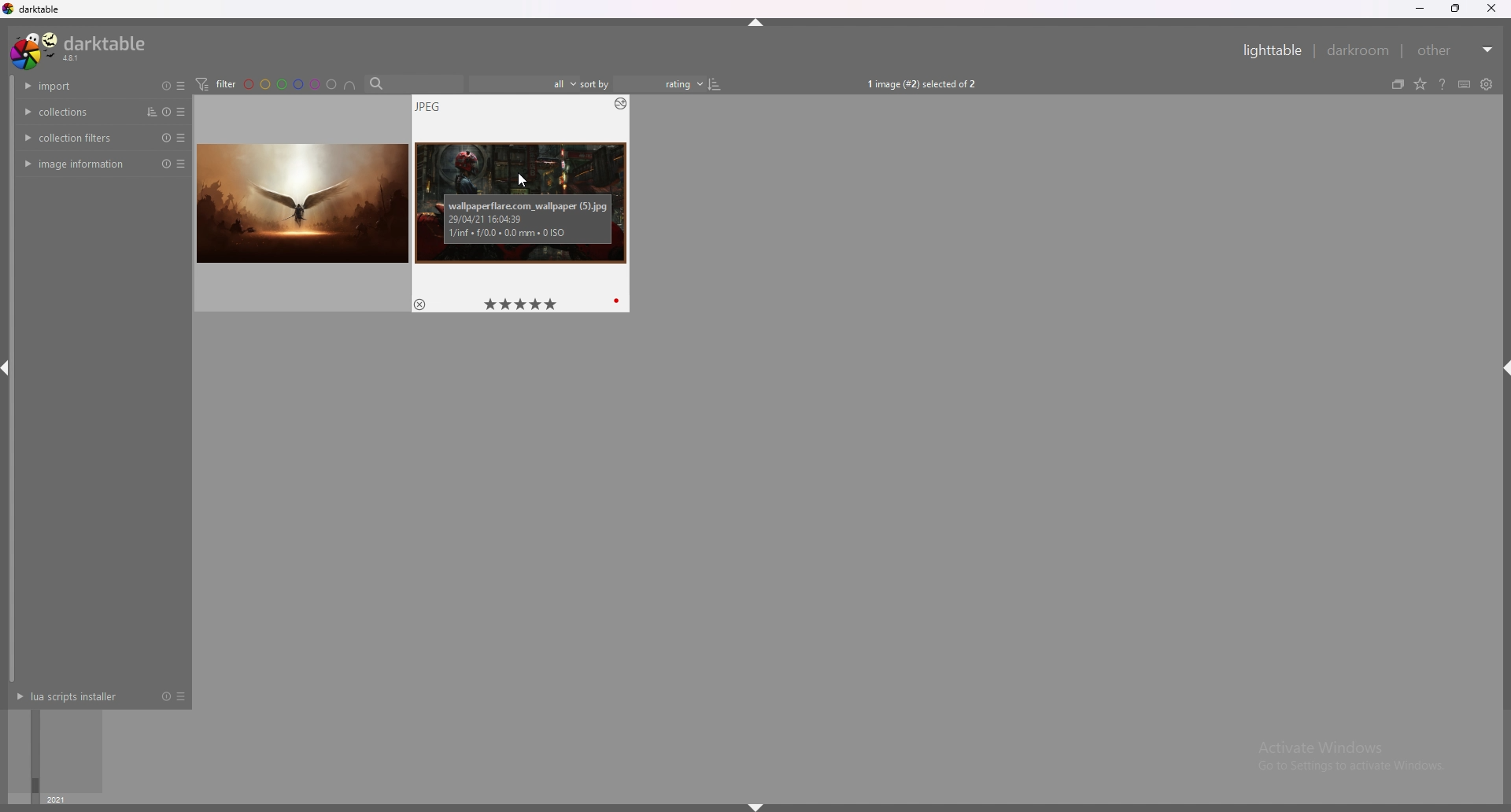  Describe the element at coordinates (1420, 9) in the screenshot. I see `minimize` at that location.